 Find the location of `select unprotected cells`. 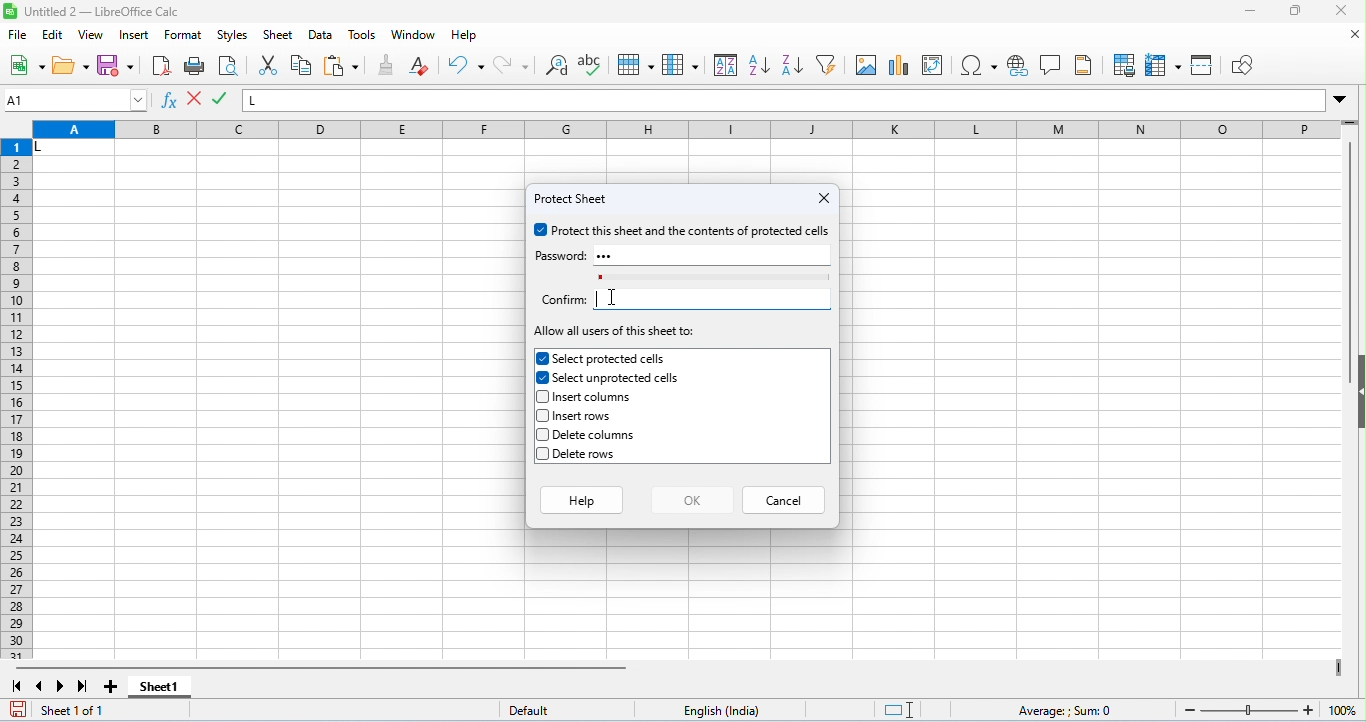

select unprotected cells is located at coordinates (610, 378).